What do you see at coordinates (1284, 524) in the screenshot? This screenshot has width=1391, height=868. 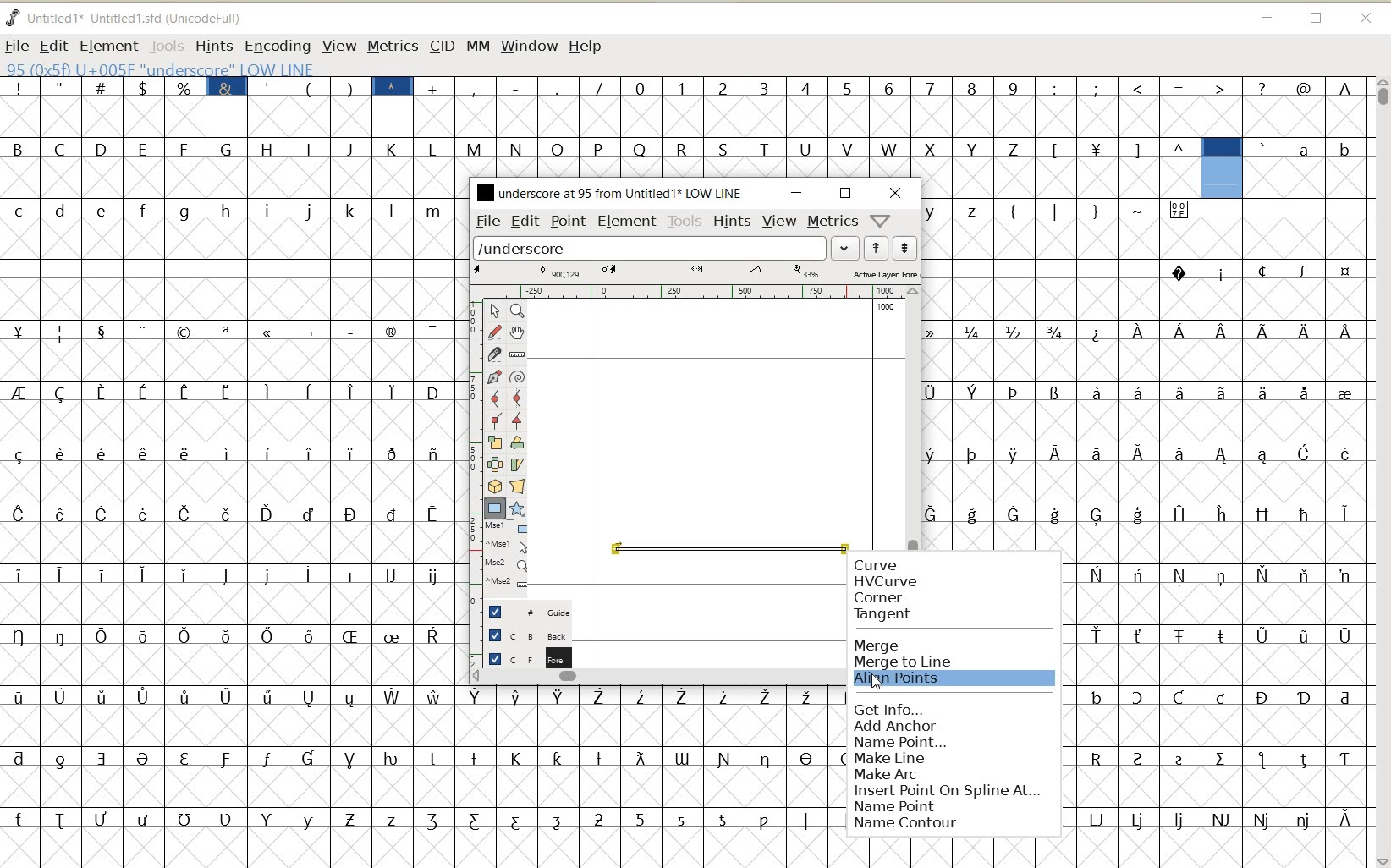 I see `GLYPHY CHARACTERS` at bounding box center [1284, 524].